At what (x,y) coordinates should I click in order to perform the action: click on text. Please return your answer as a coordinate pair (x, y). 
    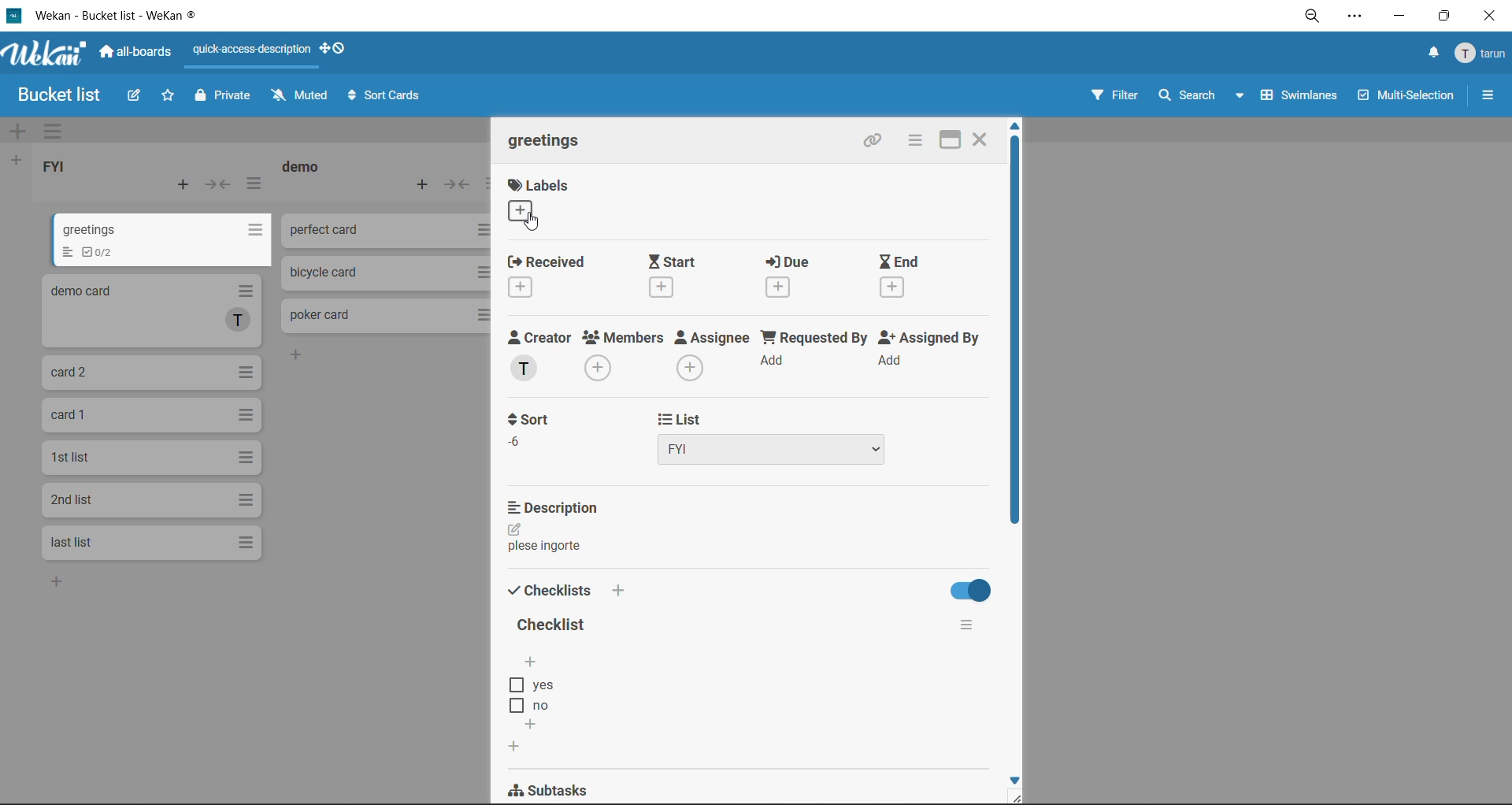
    Looking at the image, I should click on (549, 547).